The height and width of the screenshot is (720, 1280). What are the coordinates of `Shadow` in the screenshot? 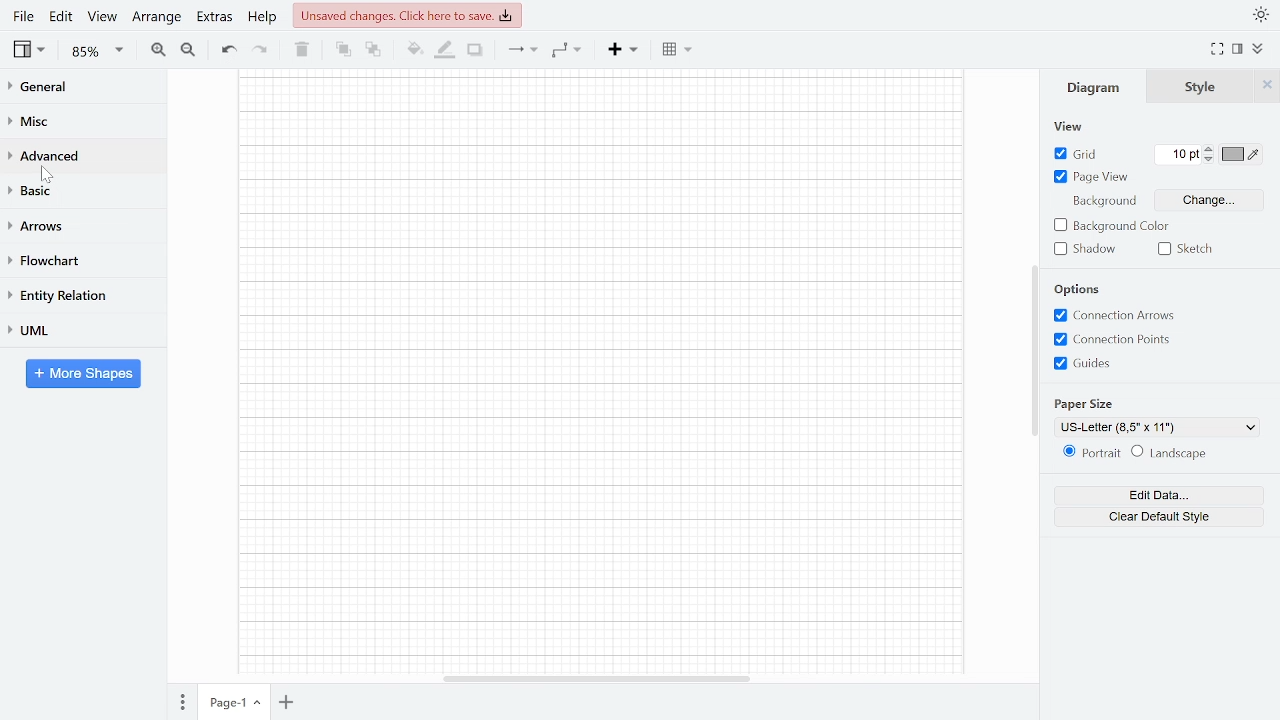 It's located at (475, 52).